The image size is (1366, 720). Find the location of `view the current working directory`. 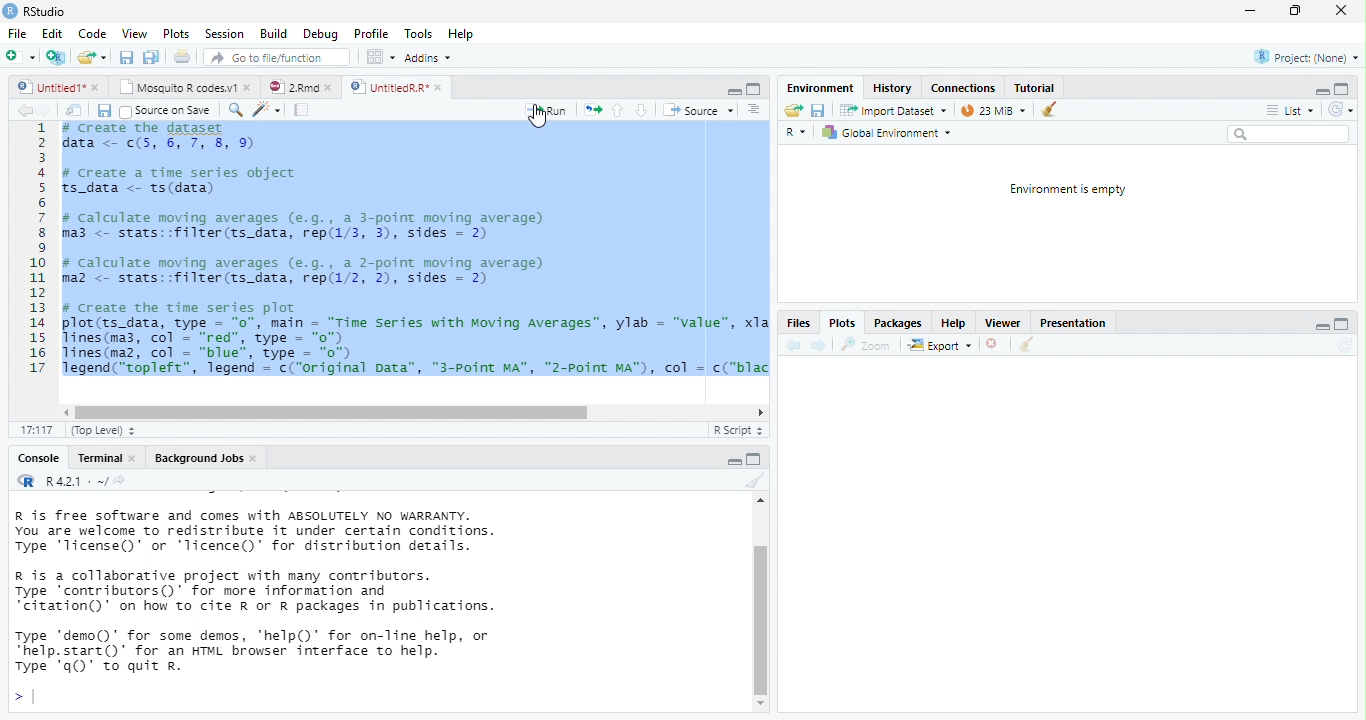

view the current working directory is located at coordinates (120, 480).